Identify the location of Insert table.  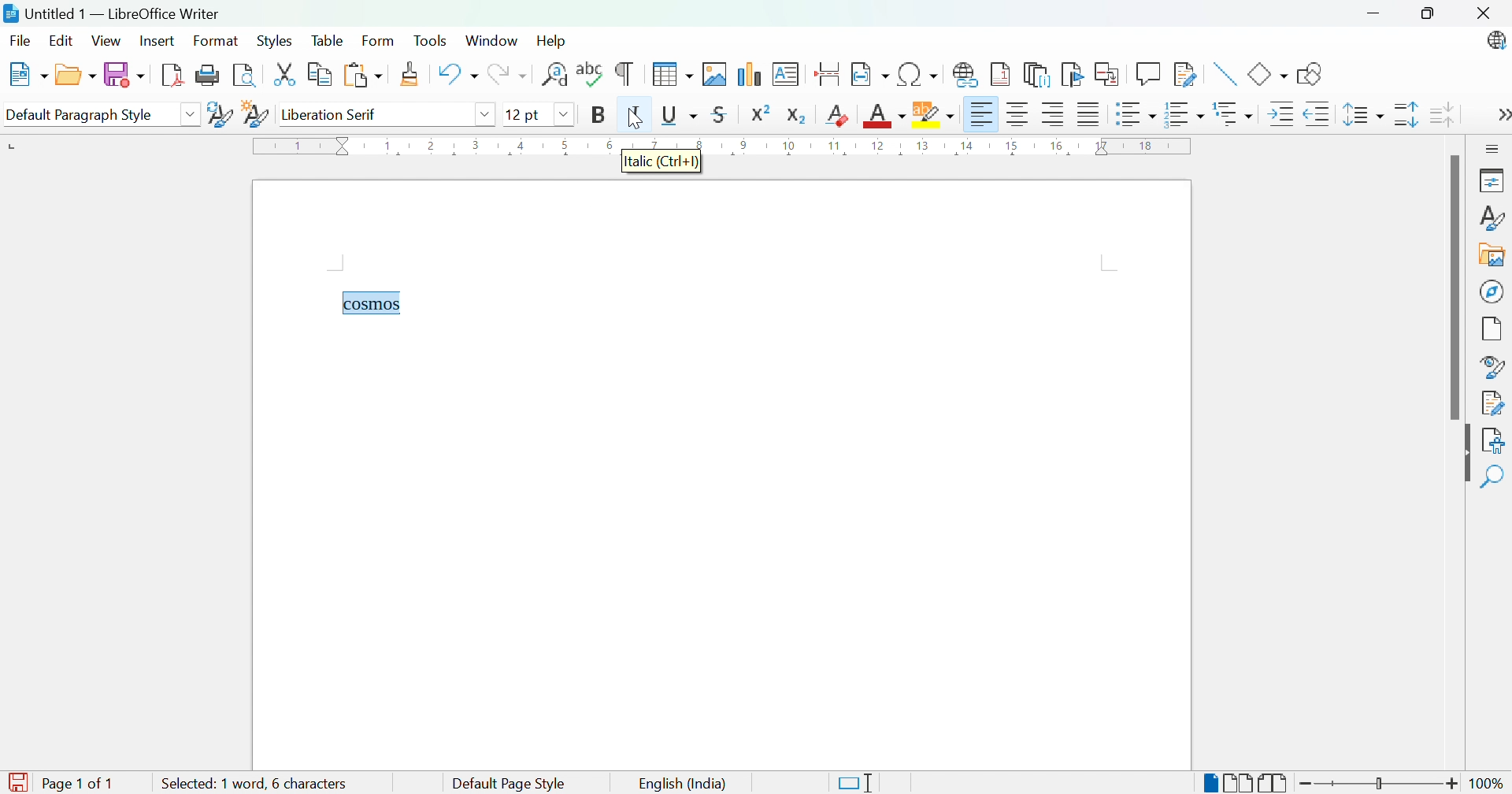
(674, 73).